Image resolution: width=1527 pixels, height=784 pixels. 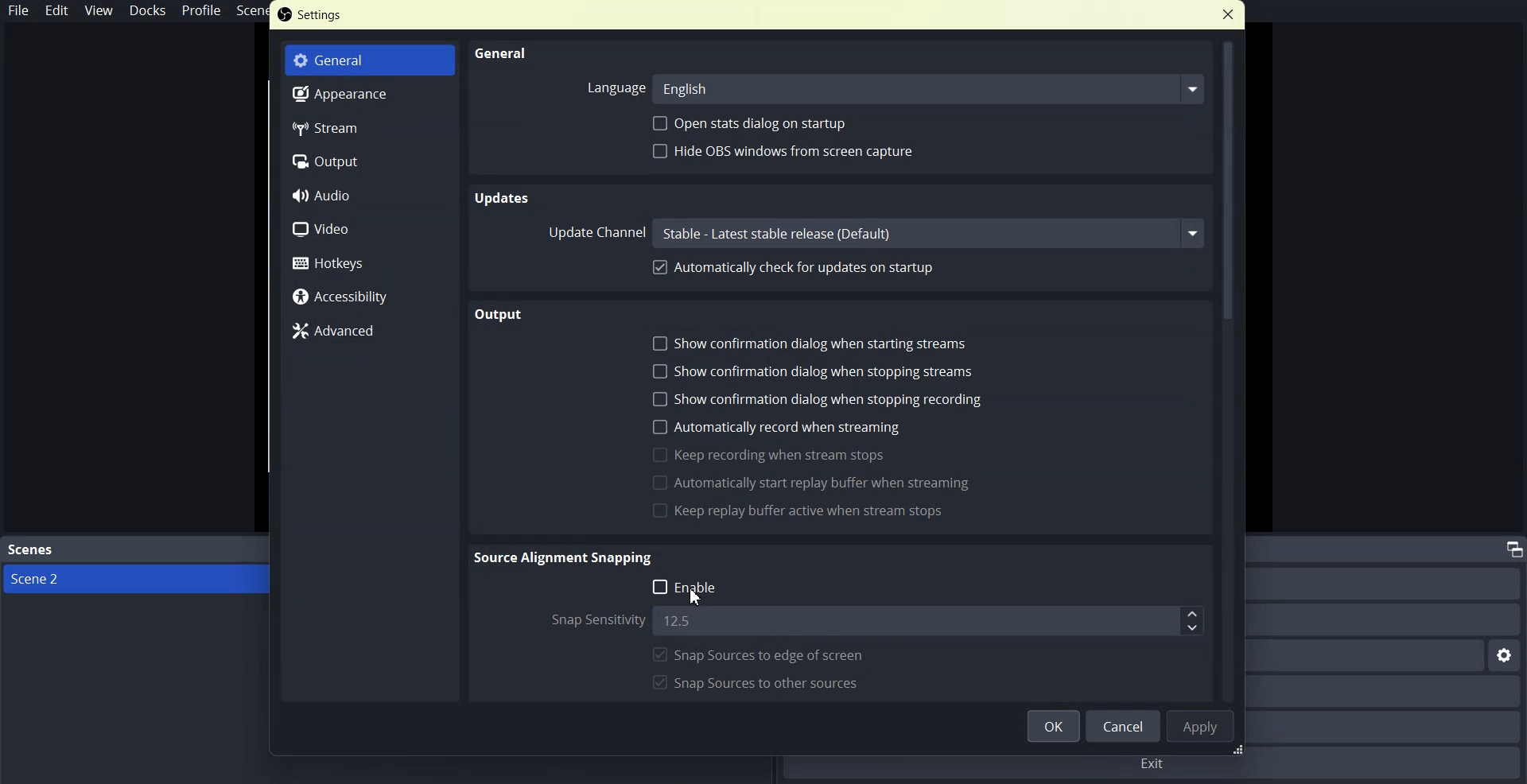 I want to click on exit, so click(x=1166, y=764).